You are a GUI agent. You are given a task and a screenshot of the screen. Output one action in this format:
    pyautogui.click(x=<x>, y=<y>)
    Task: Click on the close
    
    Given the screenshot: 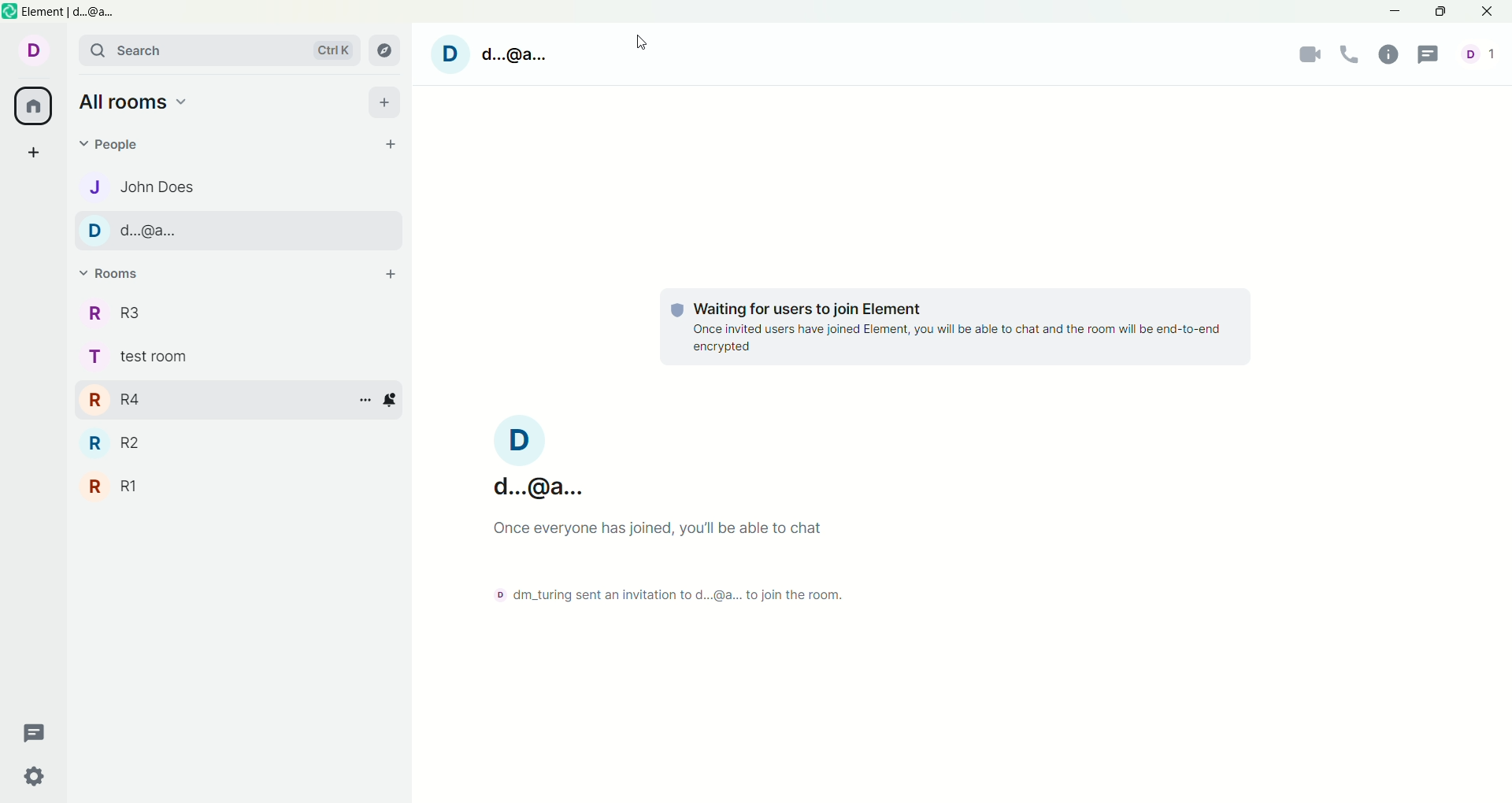 What is the action you would take?
    pyautogui.click(x=1487, y=12)
    